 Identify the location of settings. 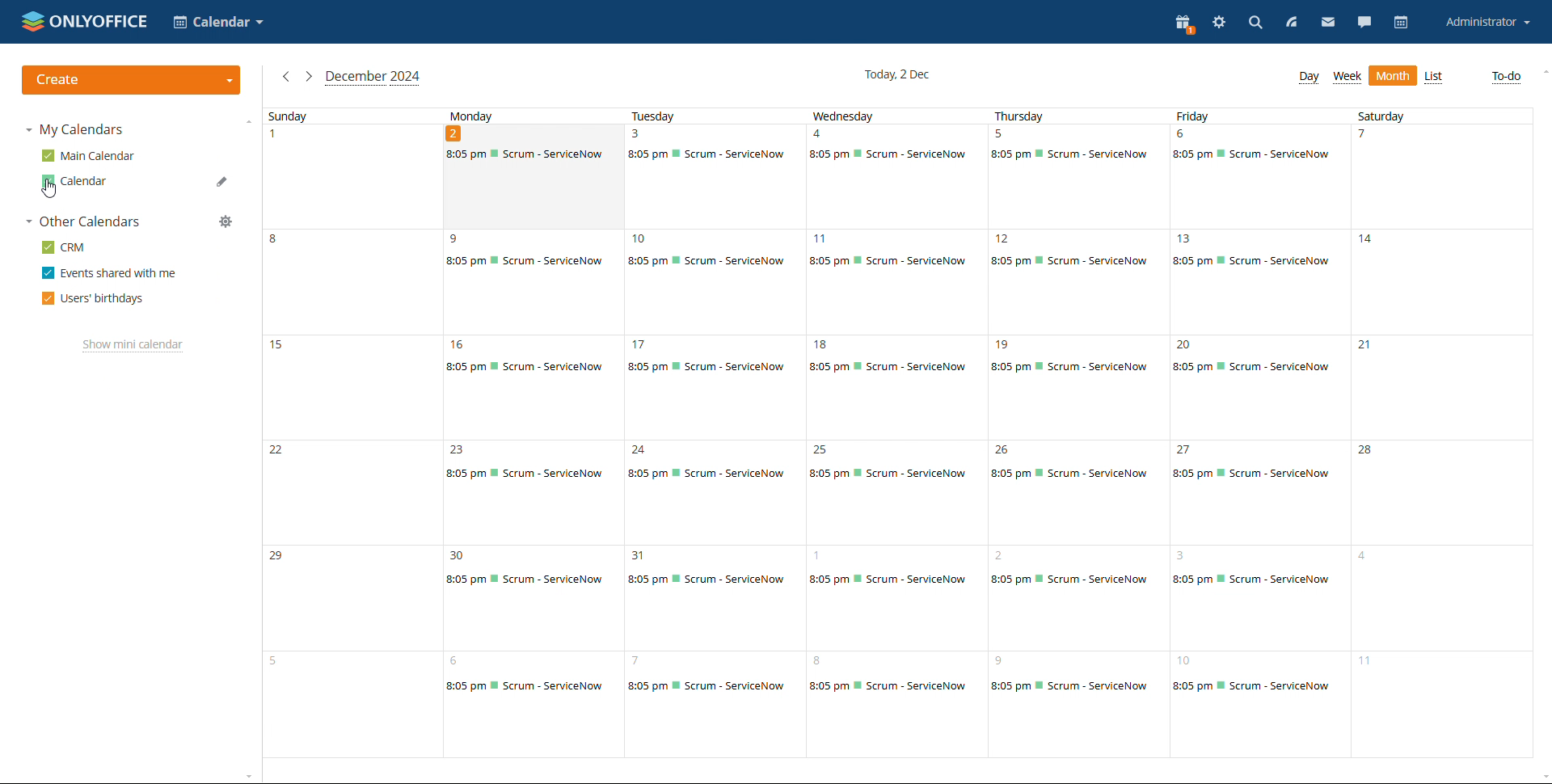
(1219, 23).